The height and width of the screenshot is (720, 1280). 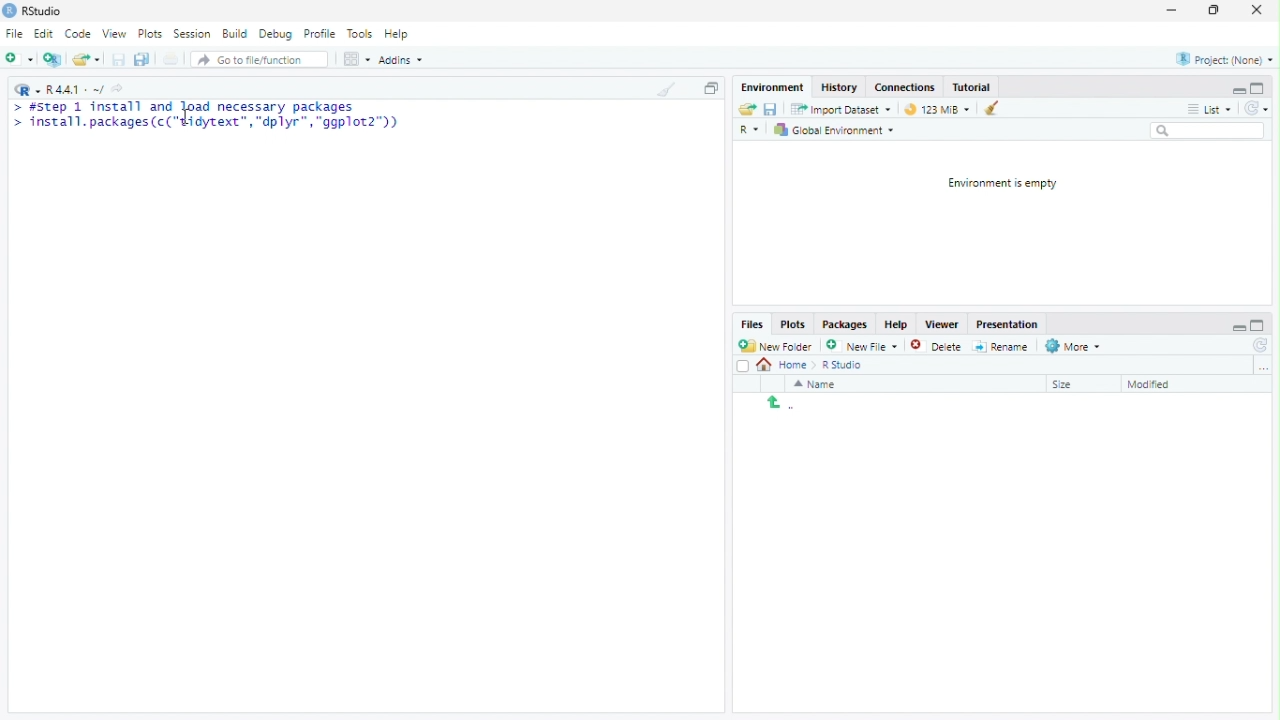 What do you see at coordinates (844, 366) in the screenshot?
I see `R Studio` at bounding box center [844, 366].